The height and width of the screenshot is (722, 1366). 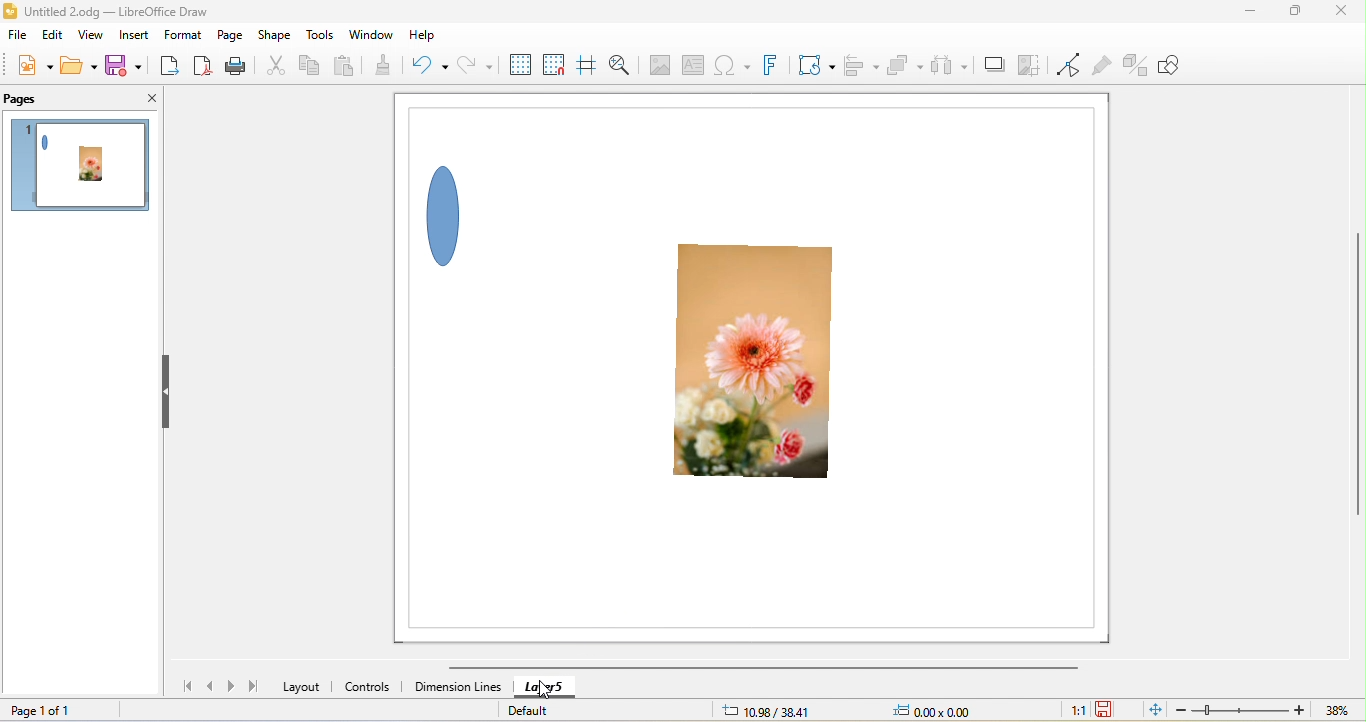 What do you see at coordinates (930, 710) in the screenshot?
I see `0.00x0.00` at bounding box center [930, 710].